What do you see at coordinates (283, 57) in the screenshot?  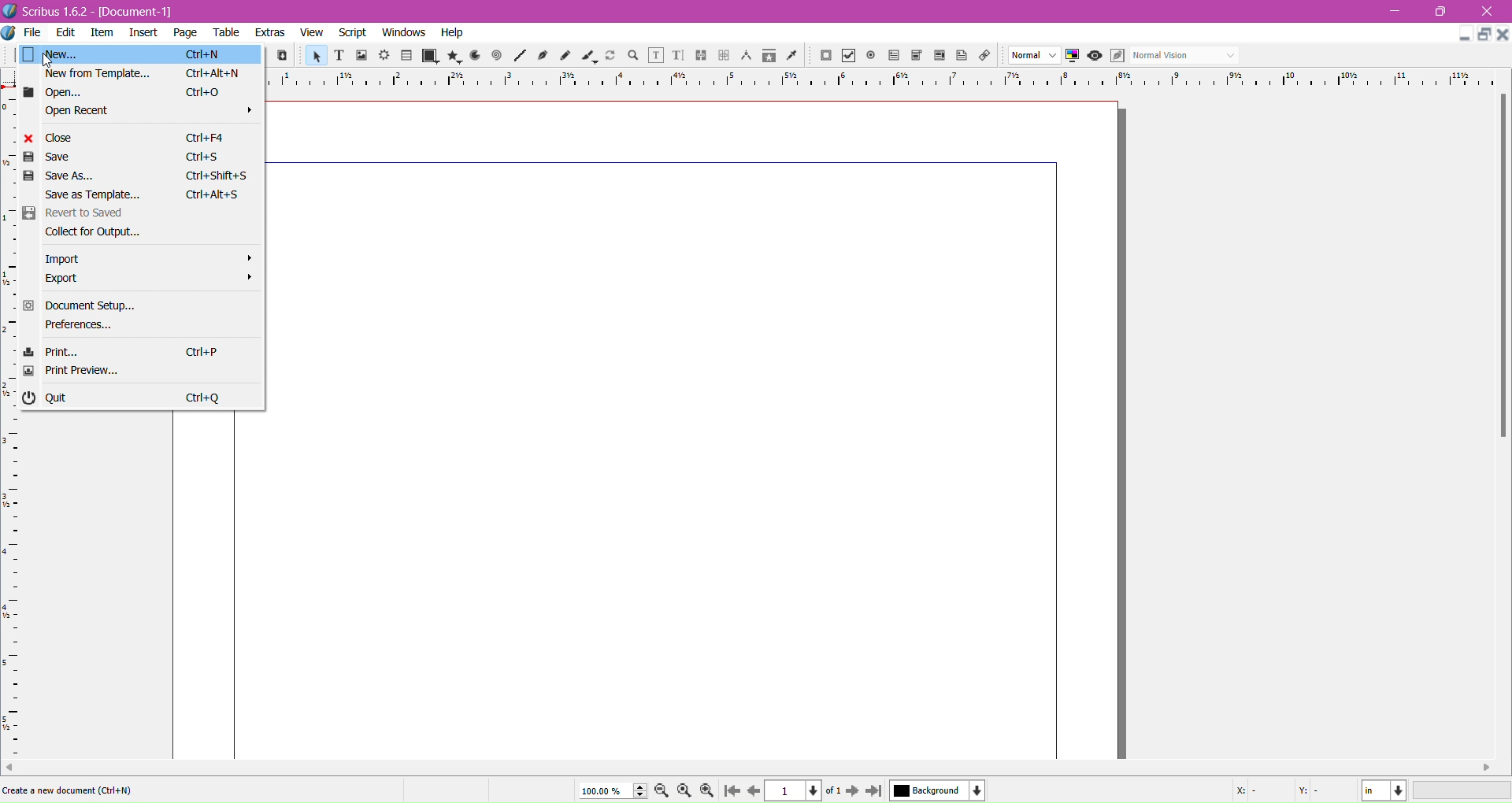 I see `paste` at bounding box center [283, 57].